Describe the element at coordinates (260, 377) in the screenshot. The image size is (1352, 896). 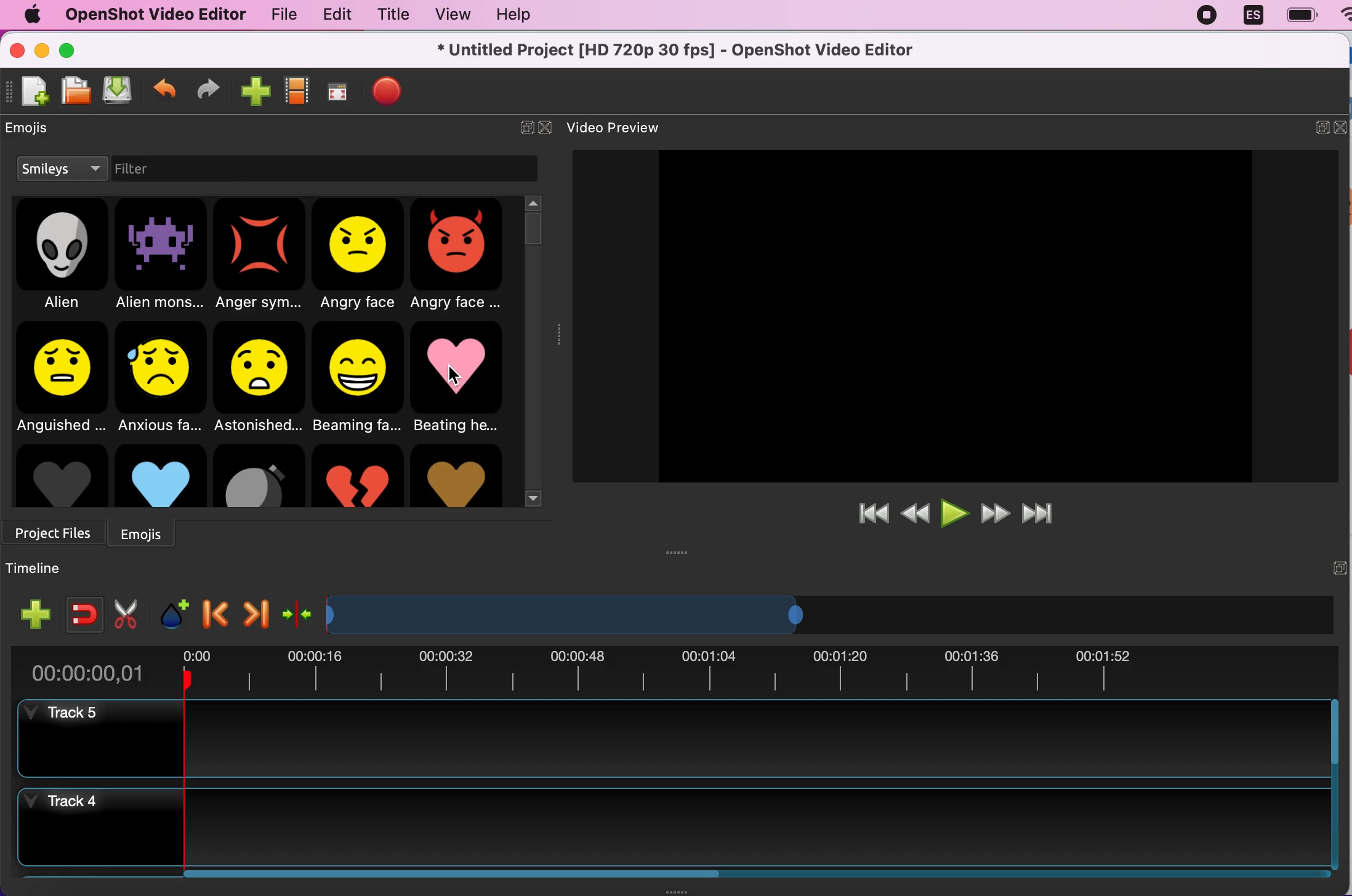
I see `astonished` at that location.